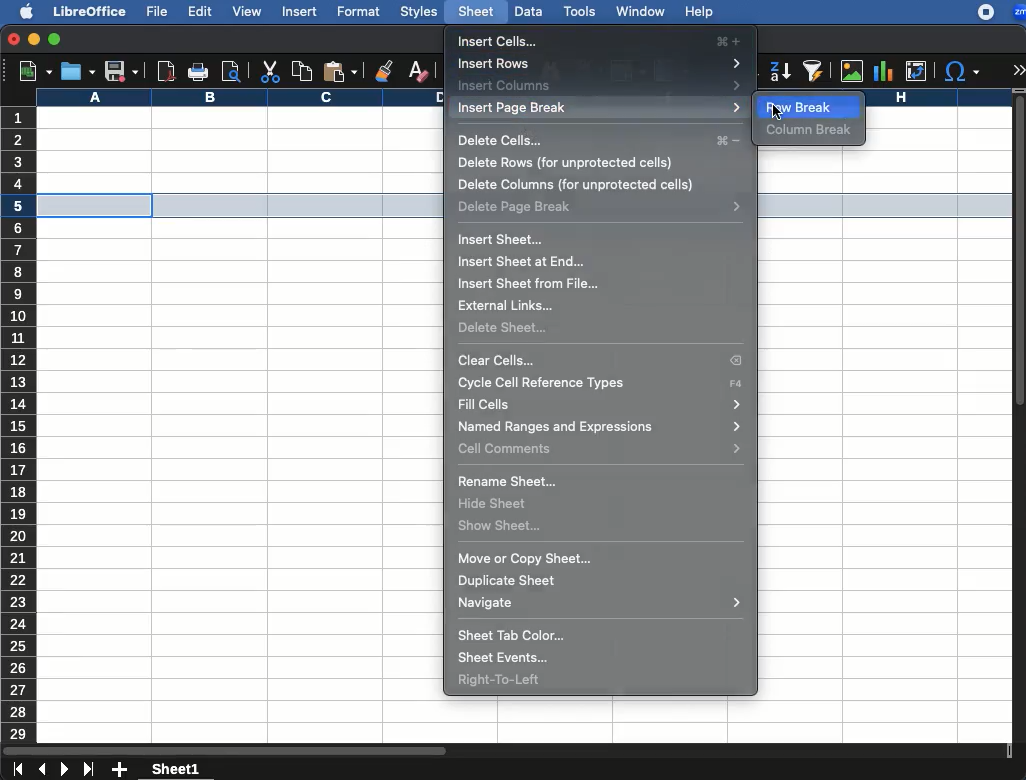 This screenshot has width=1026, height=780. Describe the element at coordinates (12, 39) in the screenshot. I see `close` at that location.